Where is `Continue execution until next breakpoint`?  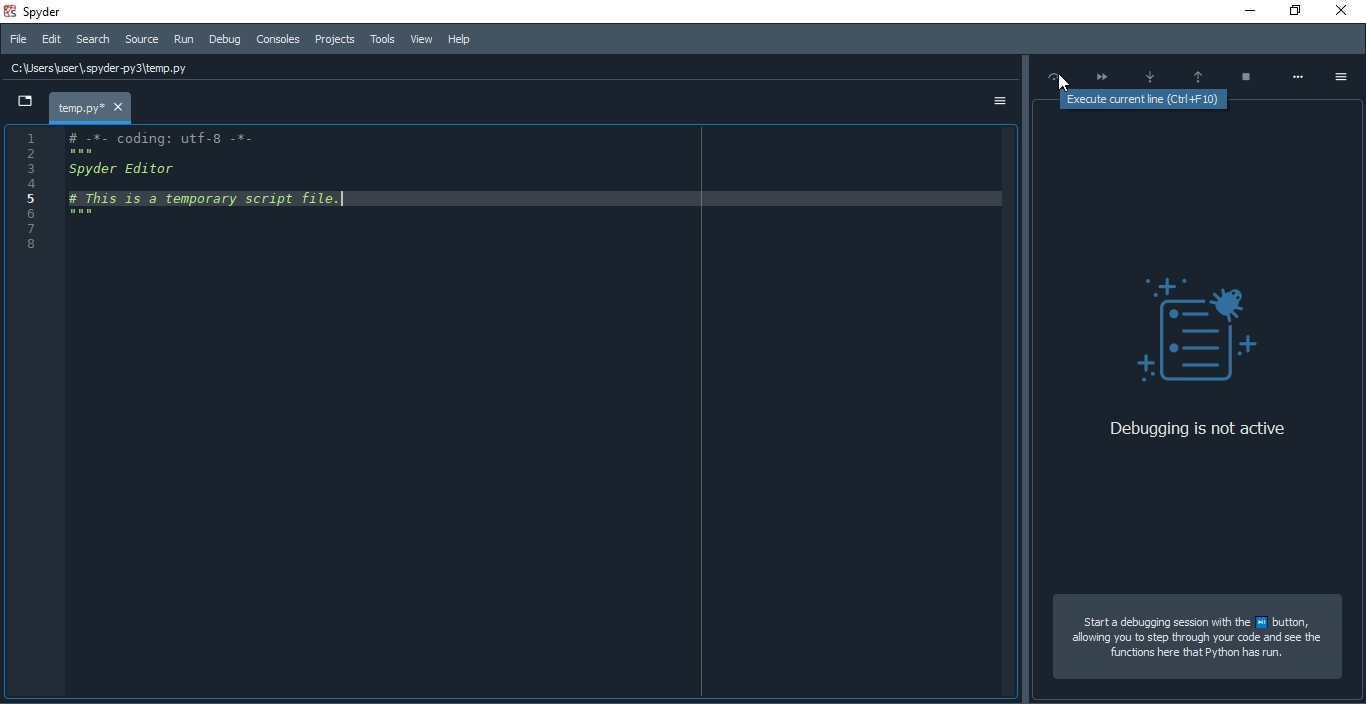 Continue execution until next breakpoint is located at coordinates (1099, 74).